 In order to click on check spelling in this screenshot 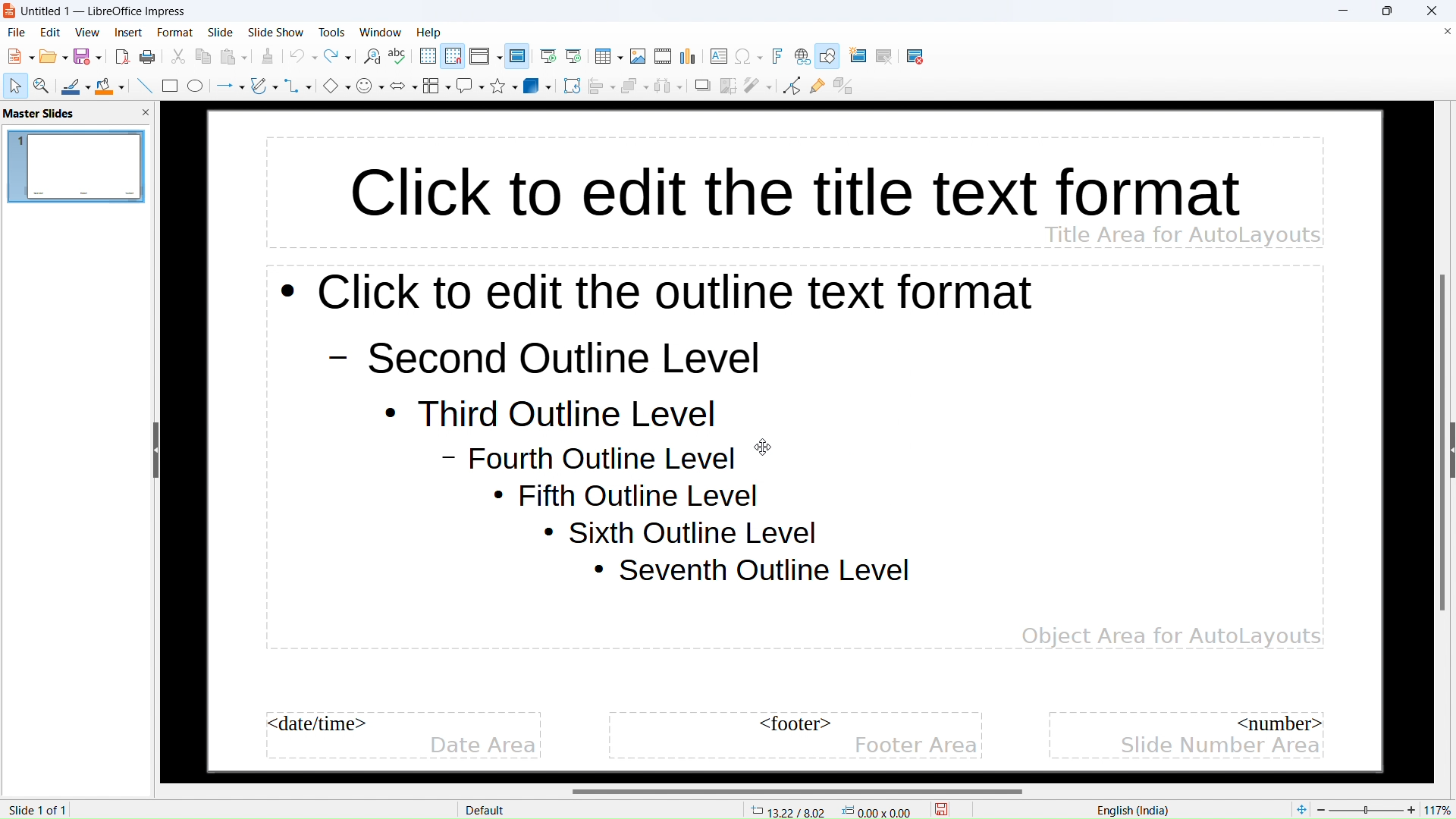, I will do `click(400, 57)`.